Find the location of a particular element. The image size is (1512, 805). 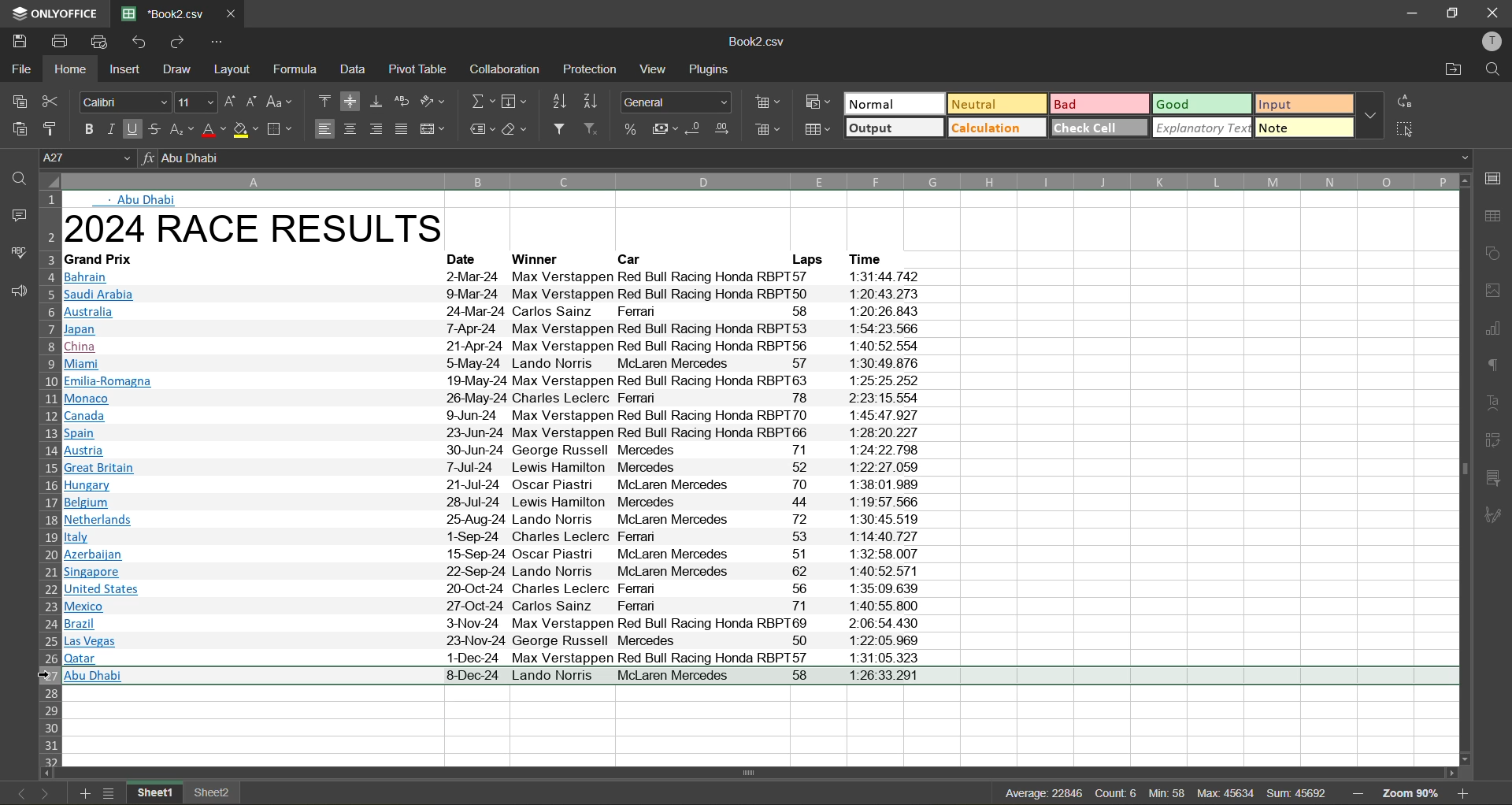

text info is located at coordinates (493, 278).